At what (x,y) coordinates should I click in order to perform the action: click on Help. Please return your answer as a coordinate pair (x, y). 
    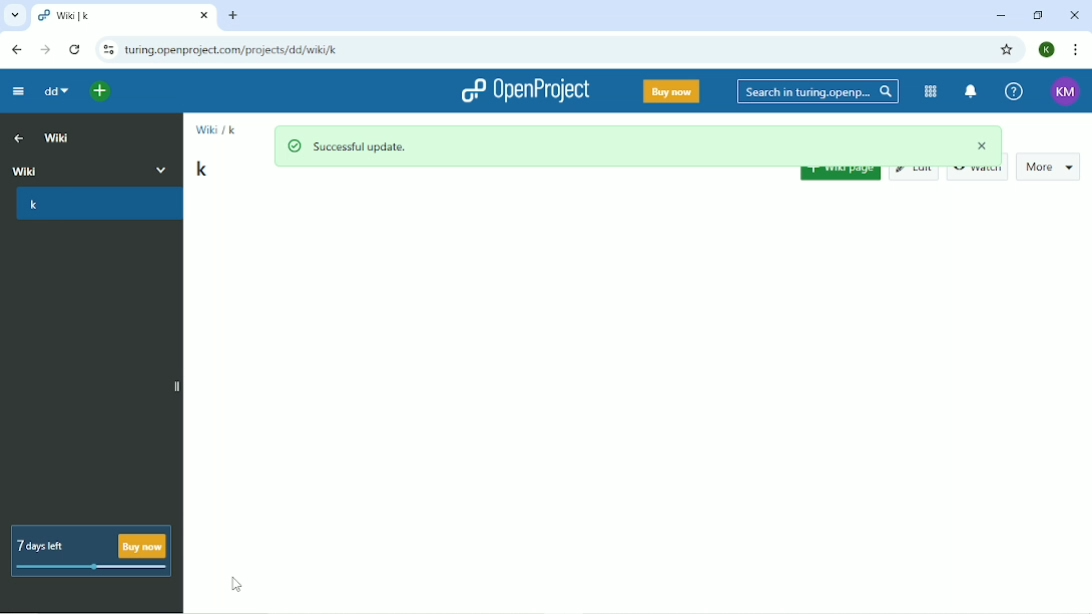
    Looking at the image, I should click on (1012, 90).